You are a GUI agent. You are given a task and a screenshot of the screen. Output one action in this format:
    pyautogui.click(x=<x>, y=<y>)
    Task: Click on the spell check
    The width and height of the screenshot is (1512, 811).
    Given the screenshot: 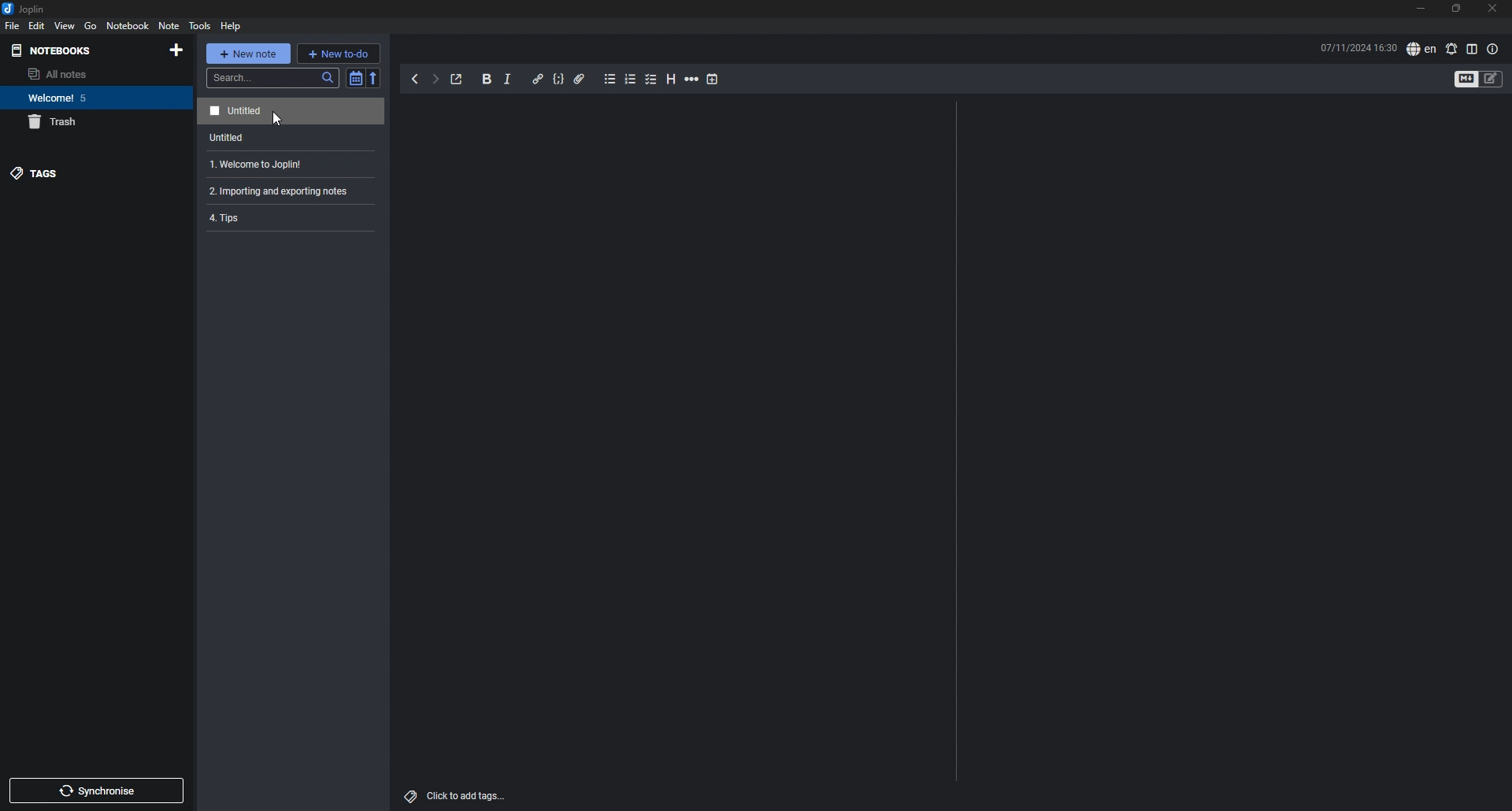 What is the action you would take?
    pyautogui.click(x=1451, y=49)
    